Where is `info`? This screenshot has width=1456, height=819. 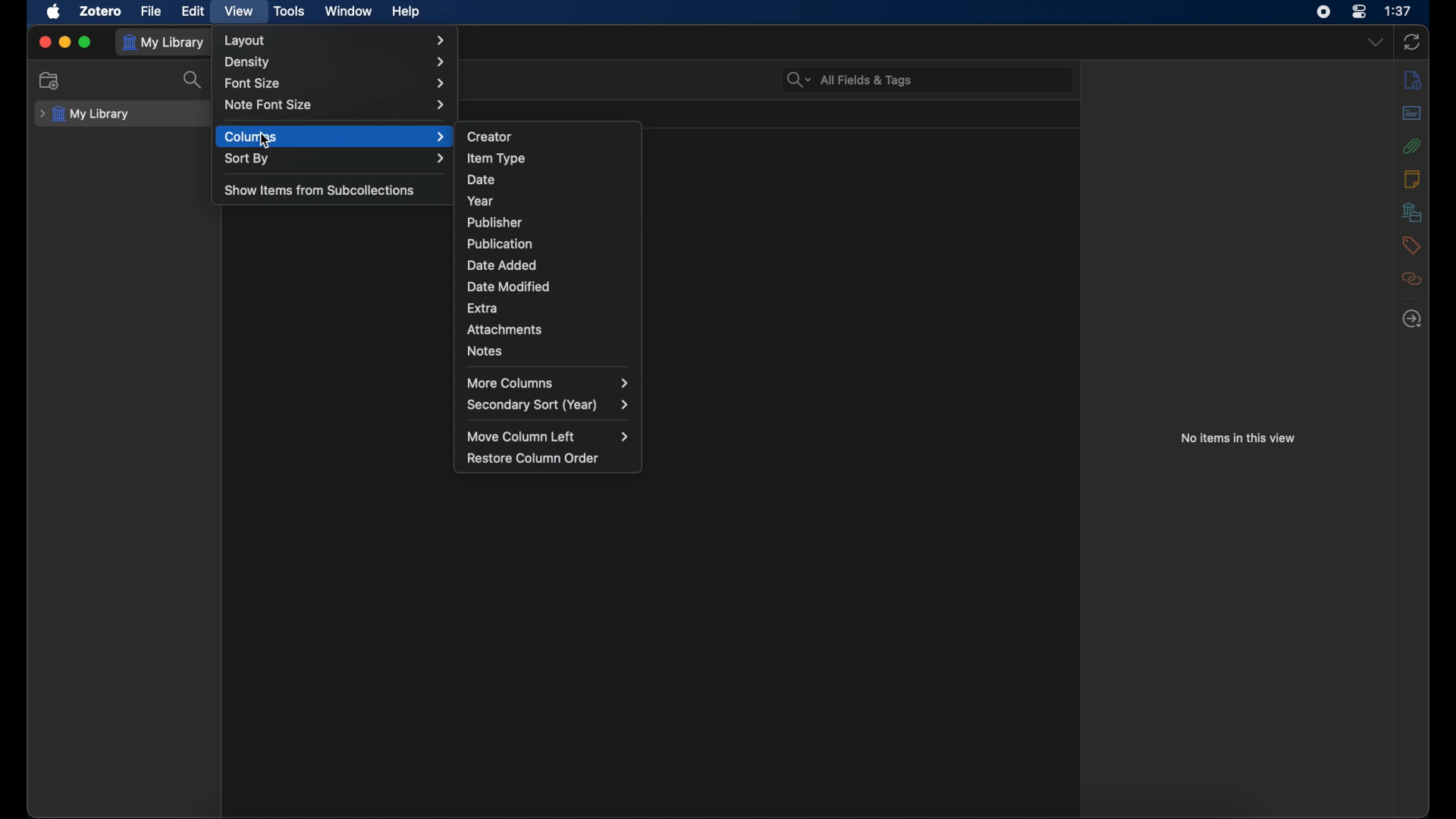
info is located at coordinates (1414, 79).